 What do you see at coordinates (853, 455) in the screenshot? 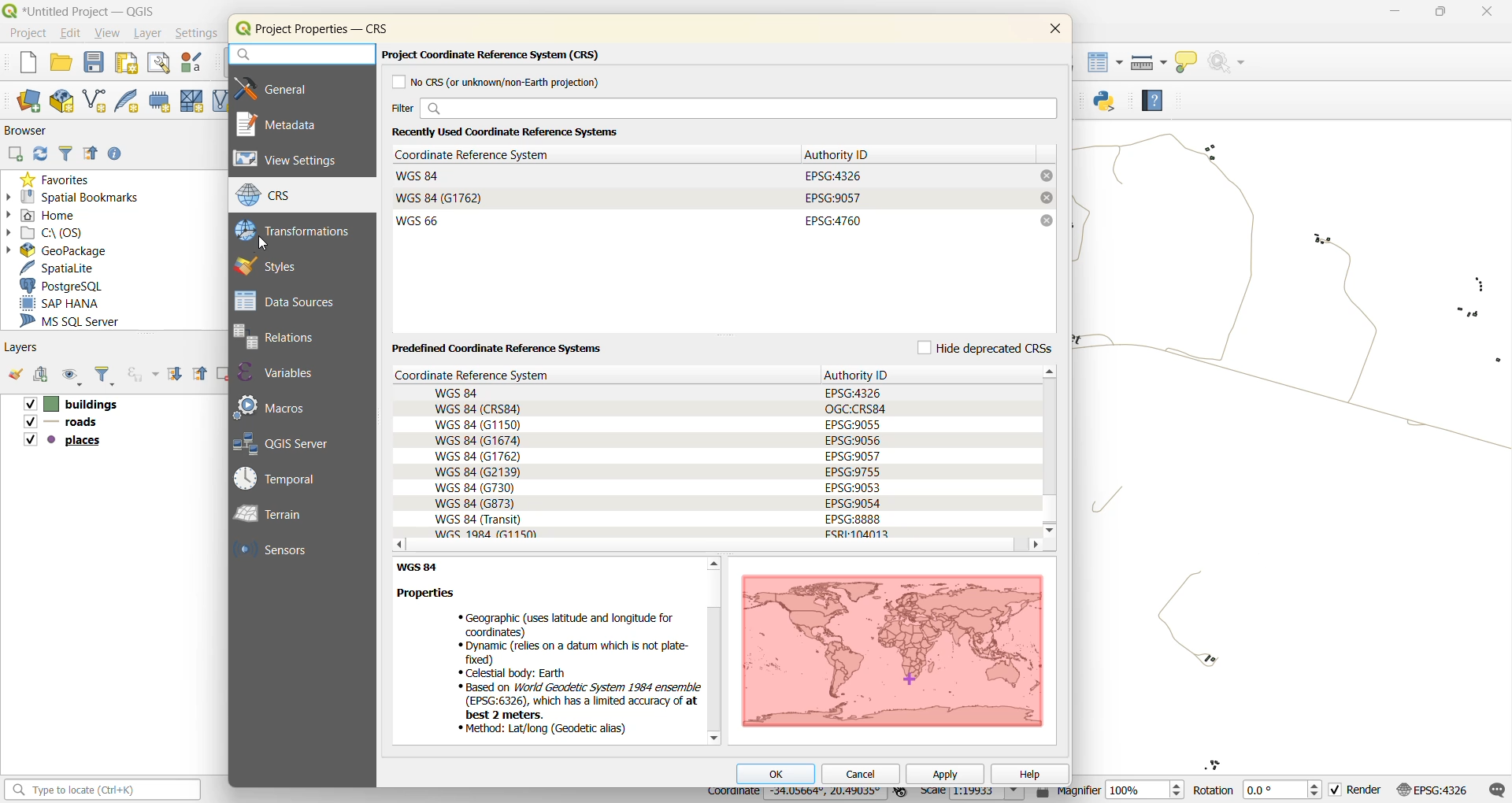
I see `EPSG:9057` at bounding box center [853, 455].